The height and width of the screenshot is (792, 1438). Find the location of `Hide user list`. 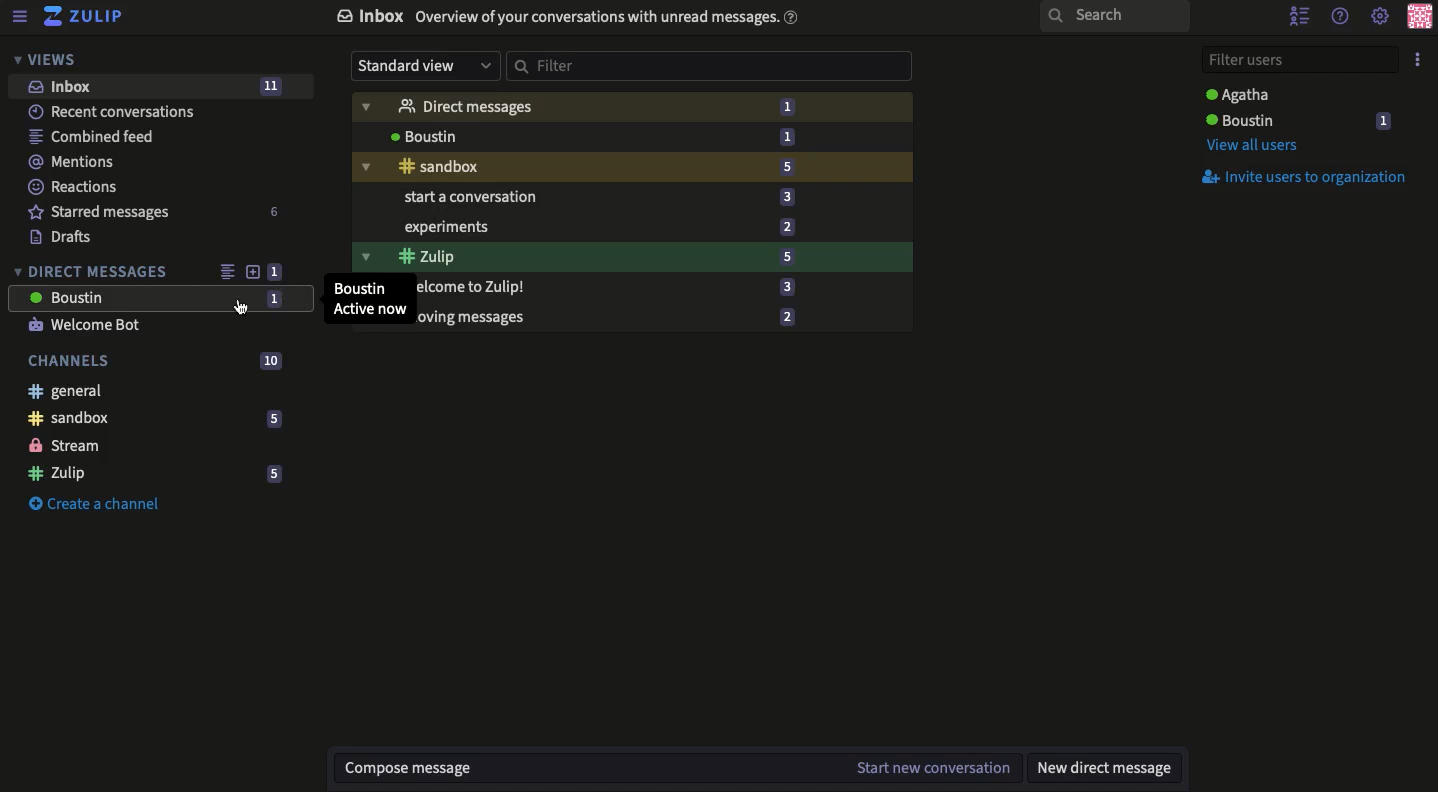

Hide user list is located at coordinates (1302, 16).